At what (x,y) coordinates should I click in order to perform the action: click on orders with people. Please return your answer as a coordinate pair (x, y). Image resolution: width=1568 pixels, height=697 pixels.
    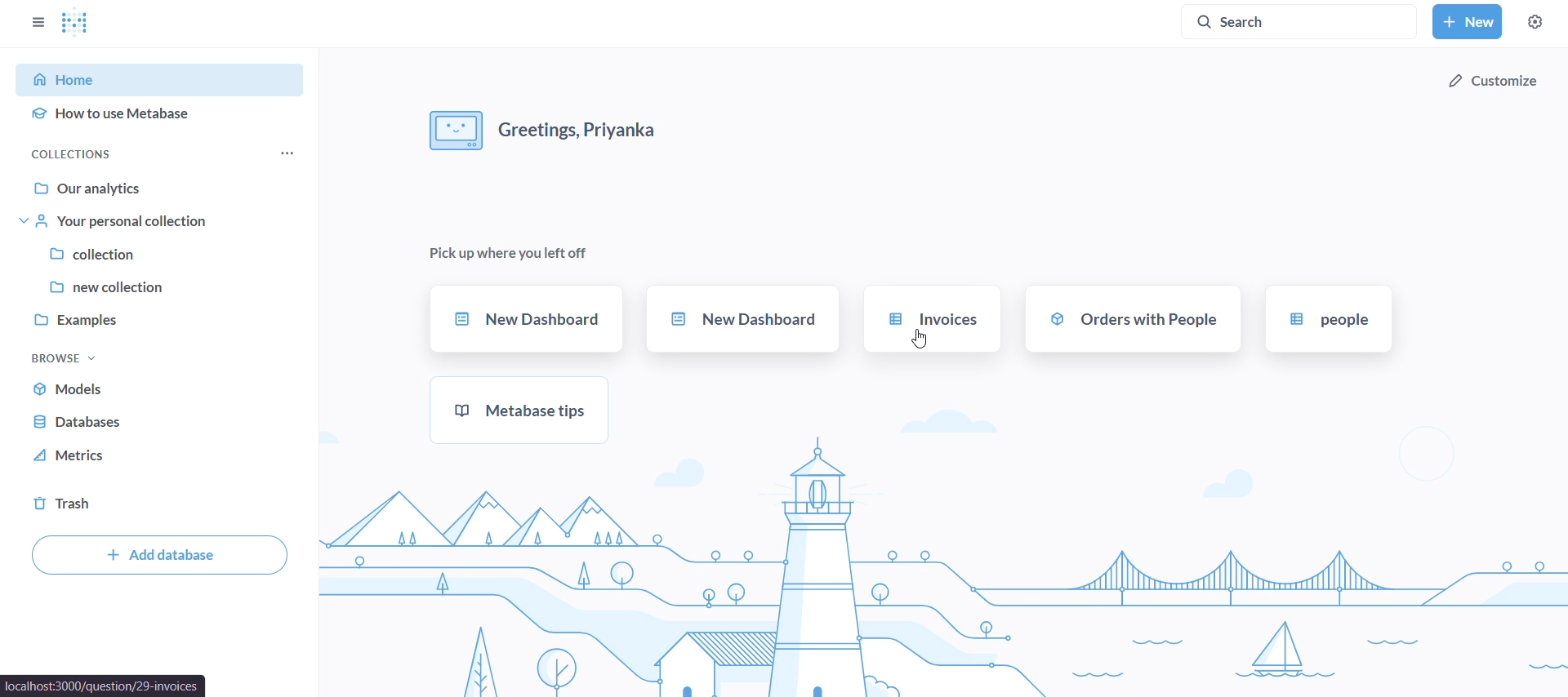
    Looking at the image, I should click on (1137, 319).